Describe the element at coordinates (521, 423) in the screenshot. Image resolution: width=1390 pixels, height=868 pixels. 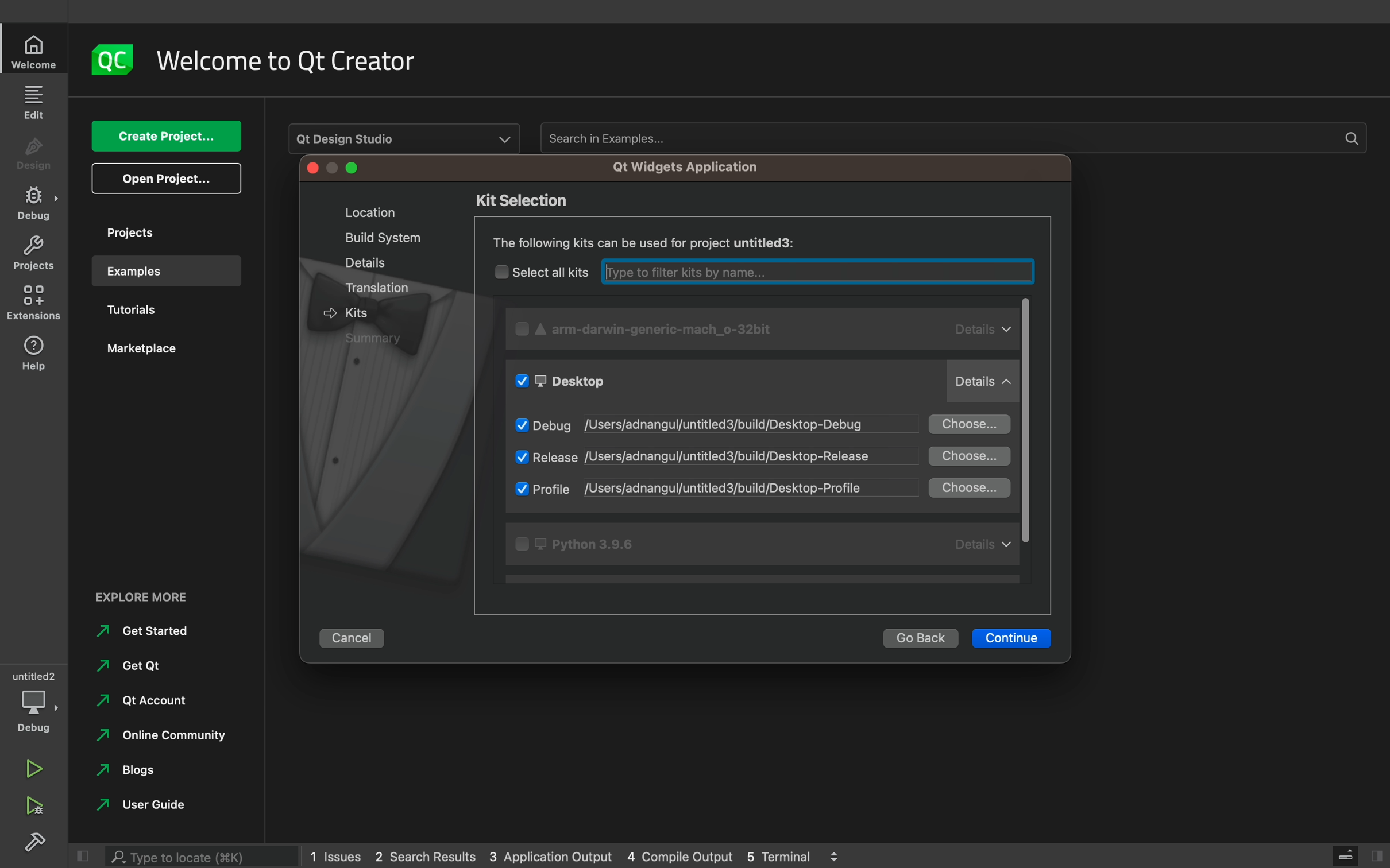
I see `check button` at that location.